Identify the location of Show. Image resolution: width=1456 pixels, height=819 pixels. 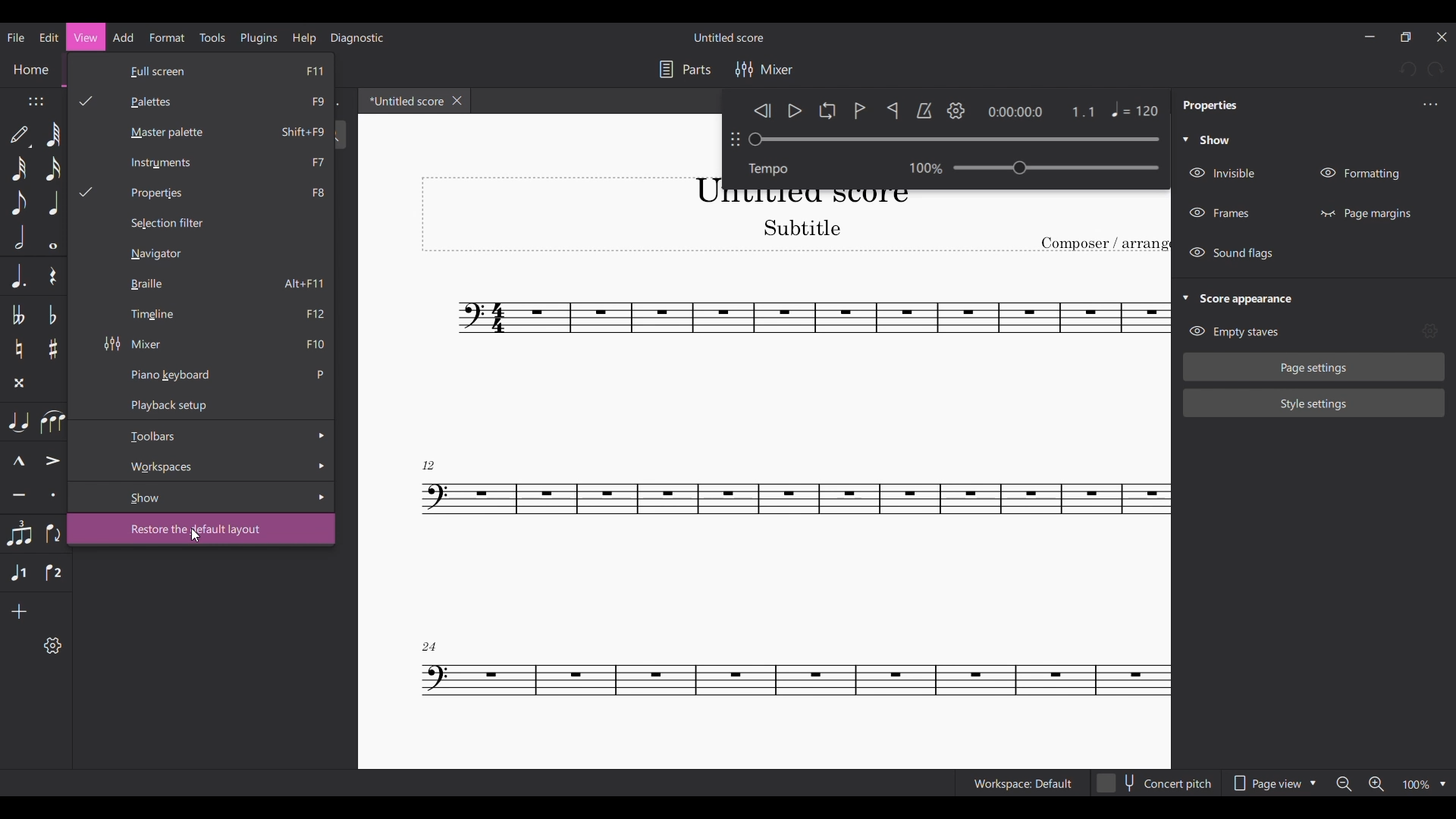
(220, 497).